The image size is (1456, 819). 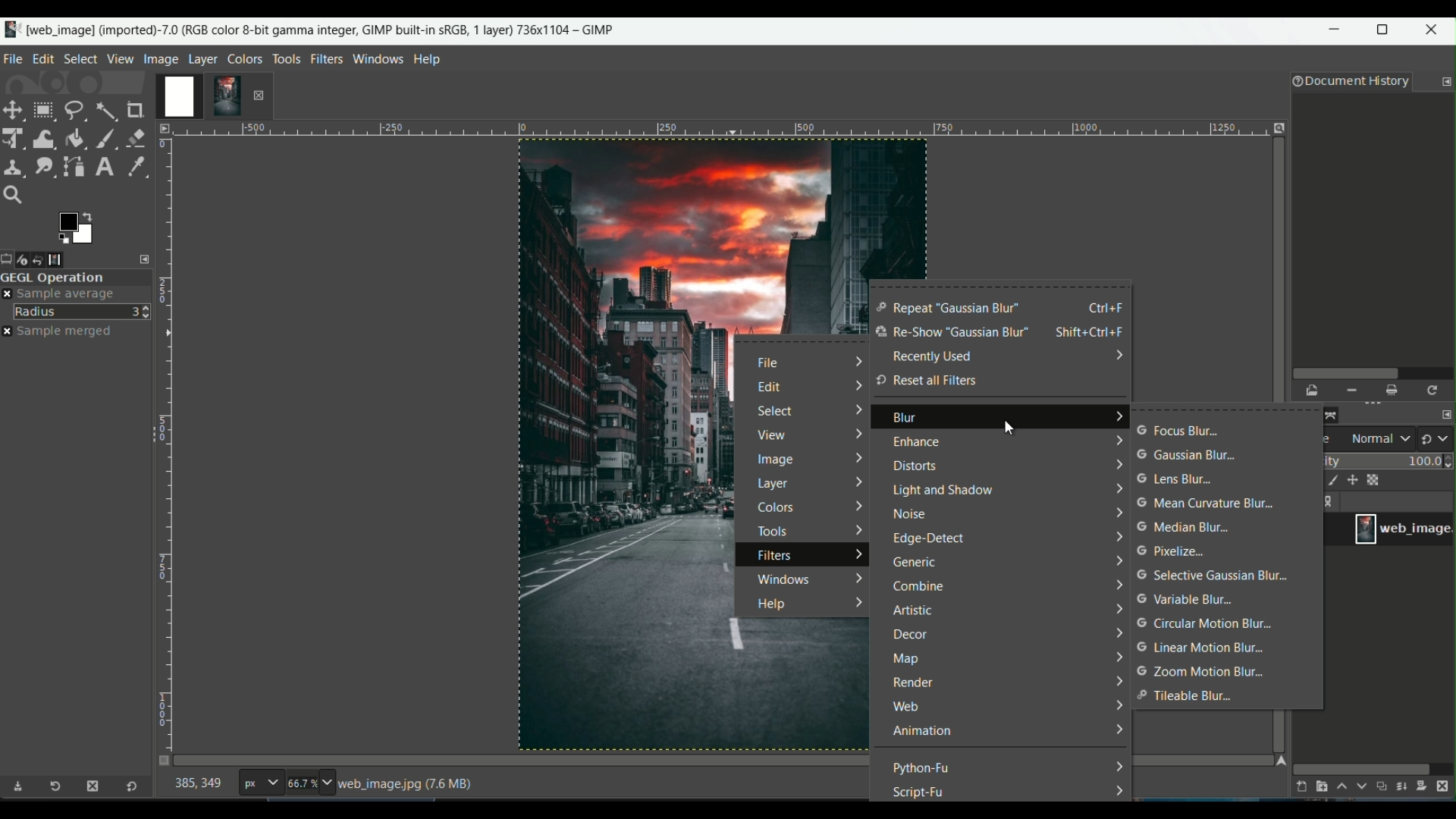 What do you see at coordinates (1203, 671) in the screenshot?
I see `zoom motion blur` at bounding box center [1203, 671].